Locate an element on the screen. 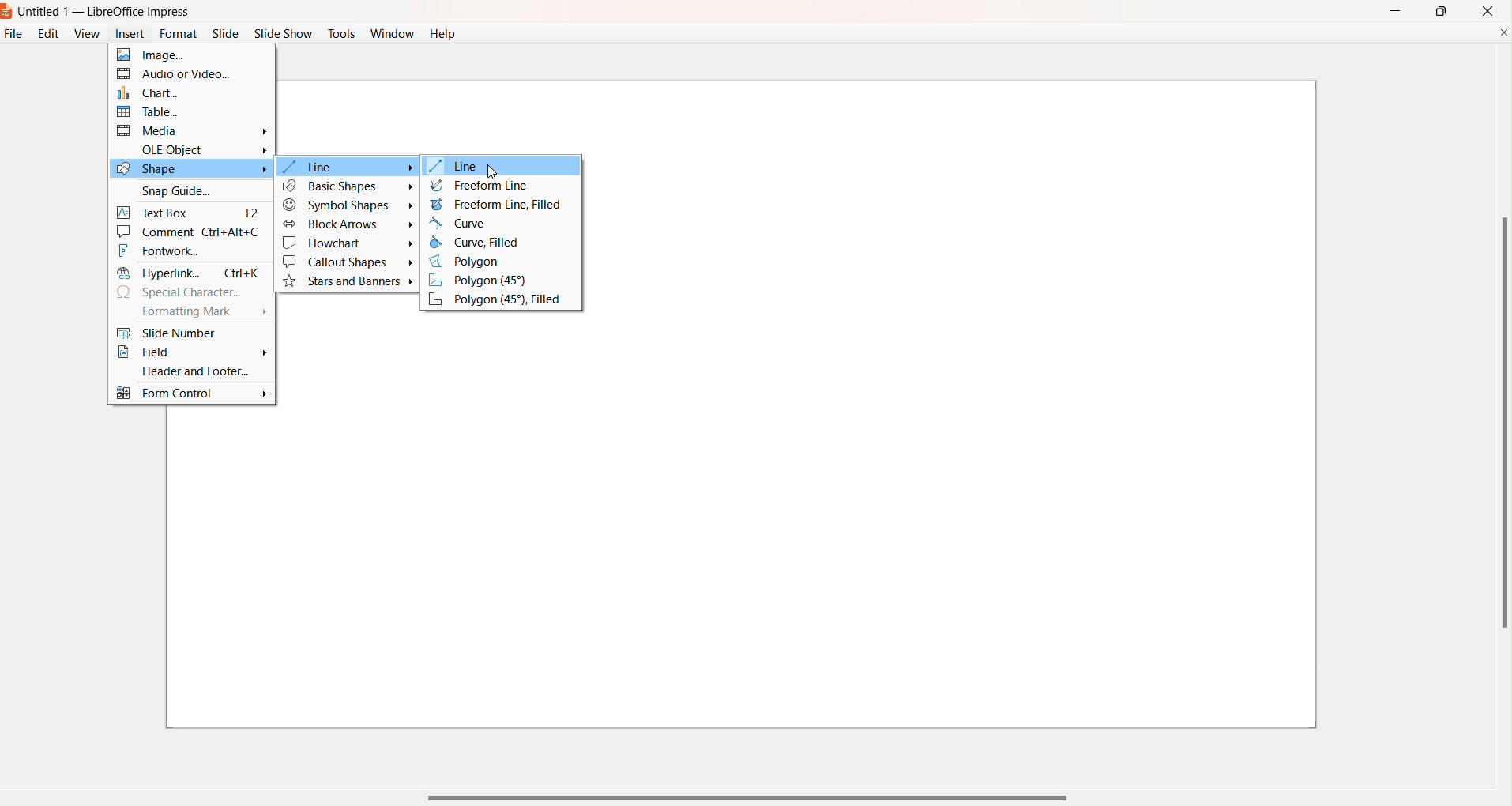 The image size is (1512, 806). Snap Guide is located at coordinates (183, 190).